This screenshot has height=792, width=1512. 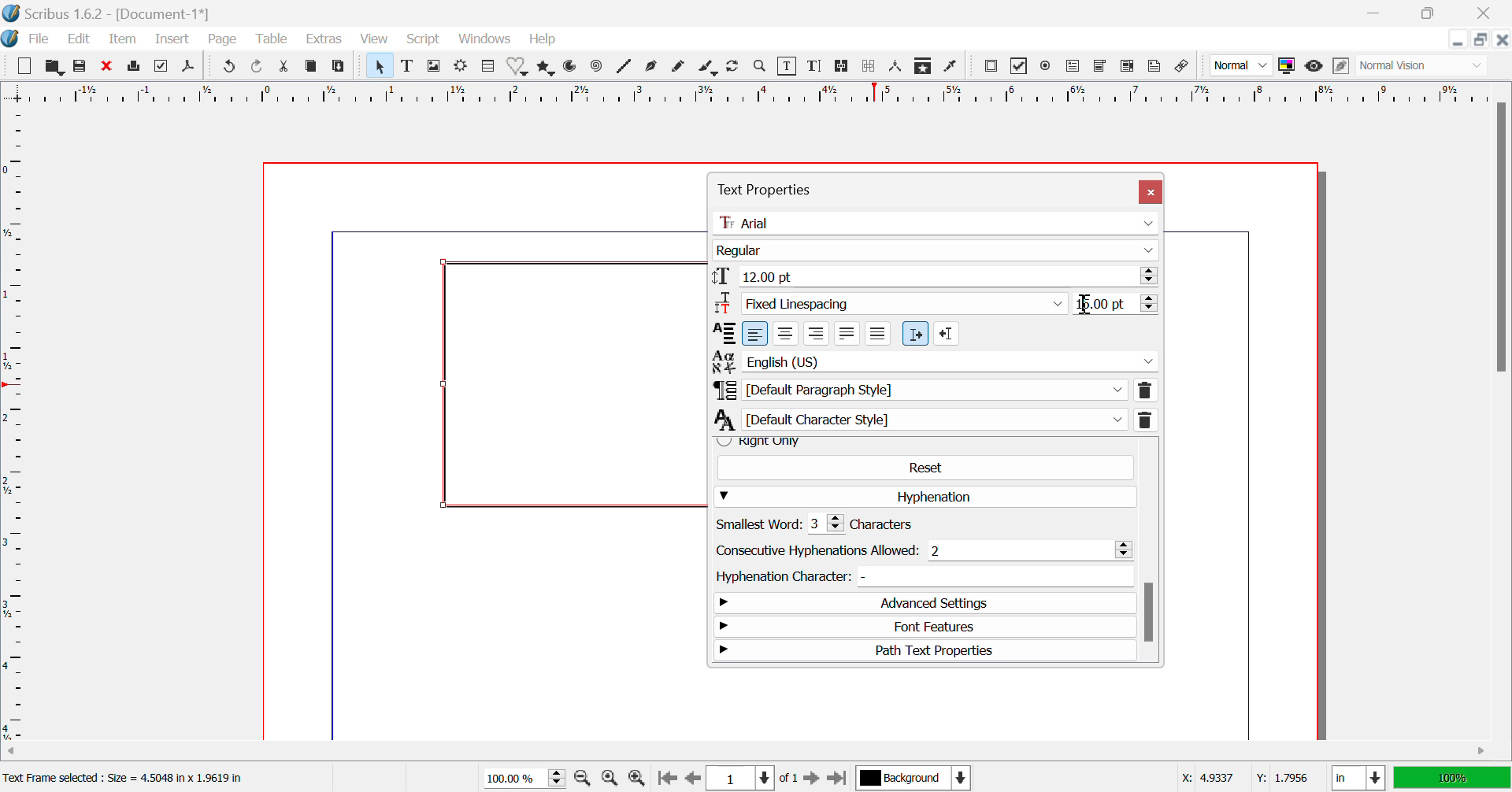 What do you see at coordinates (312, 66) in the screenshot?
I see `Copy` at bounding box center [312, 66].